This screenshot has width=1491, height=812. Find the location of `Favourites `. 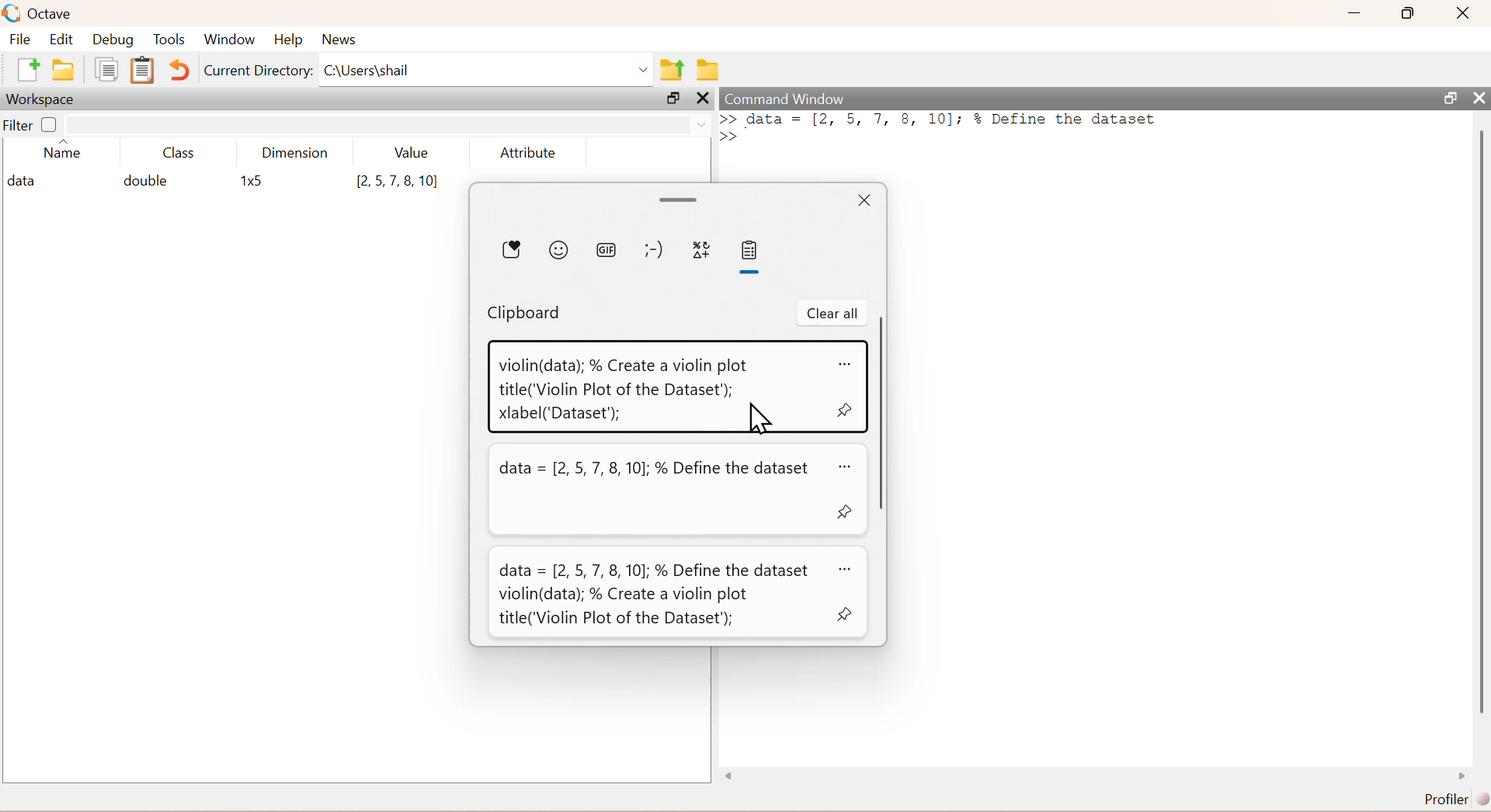

Favourites  is located at coordinates (512, 249).